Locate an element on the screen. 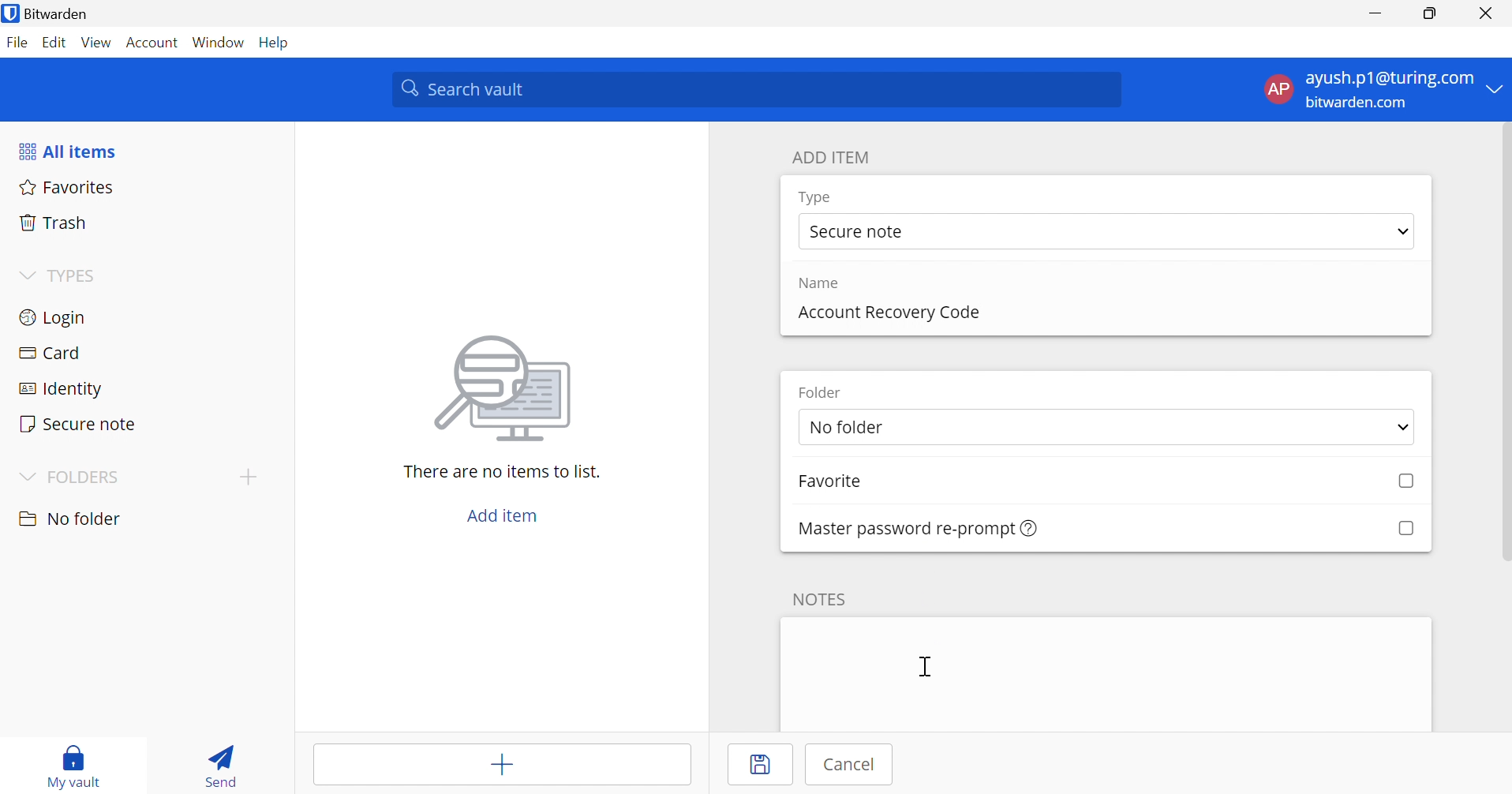  Name is located at coordinates (824, 283).